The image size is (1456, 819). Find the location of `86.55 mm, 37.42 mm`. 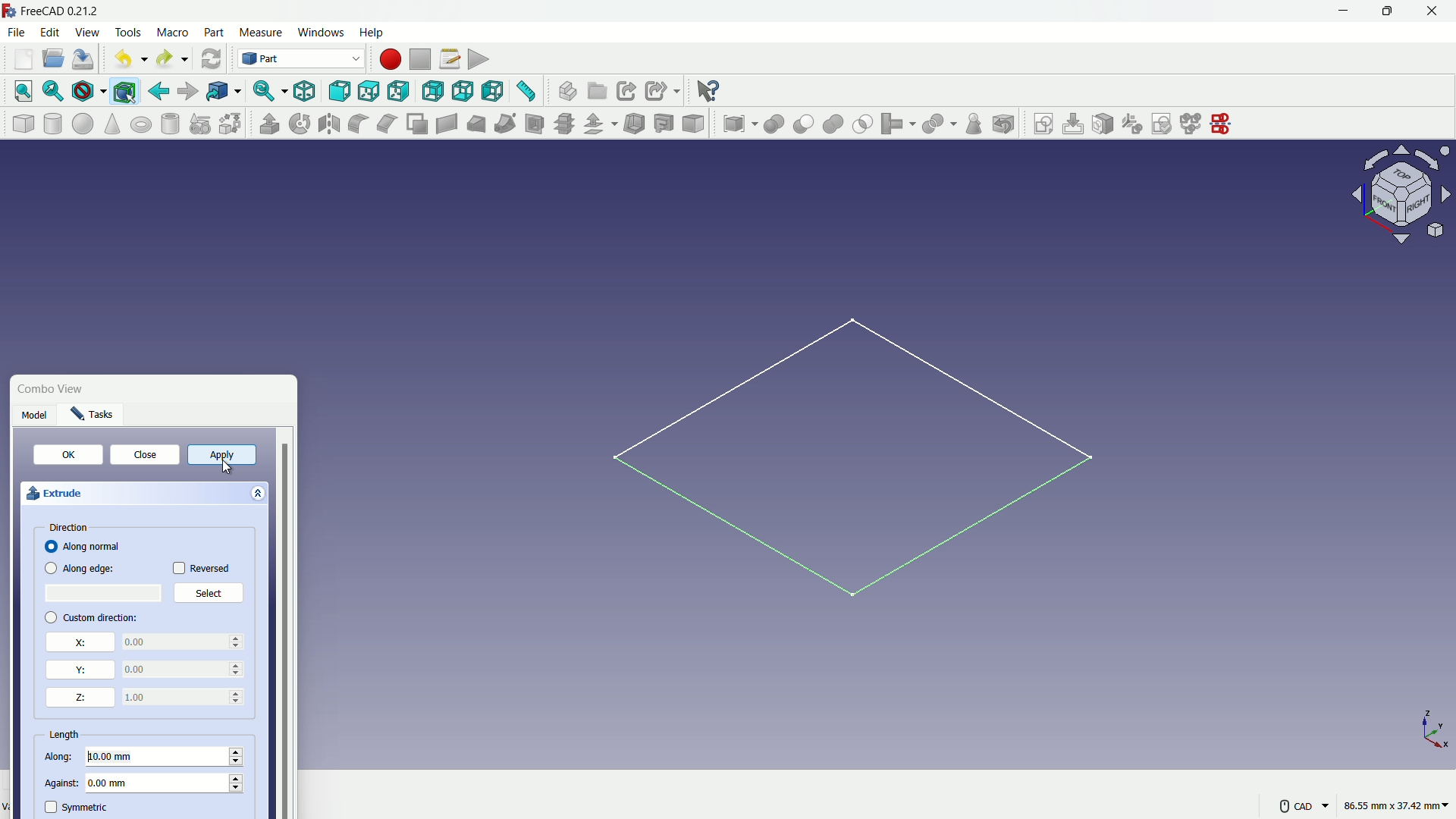

86.55 mm, 37.42 mm is located at coordinates (1397, 805).